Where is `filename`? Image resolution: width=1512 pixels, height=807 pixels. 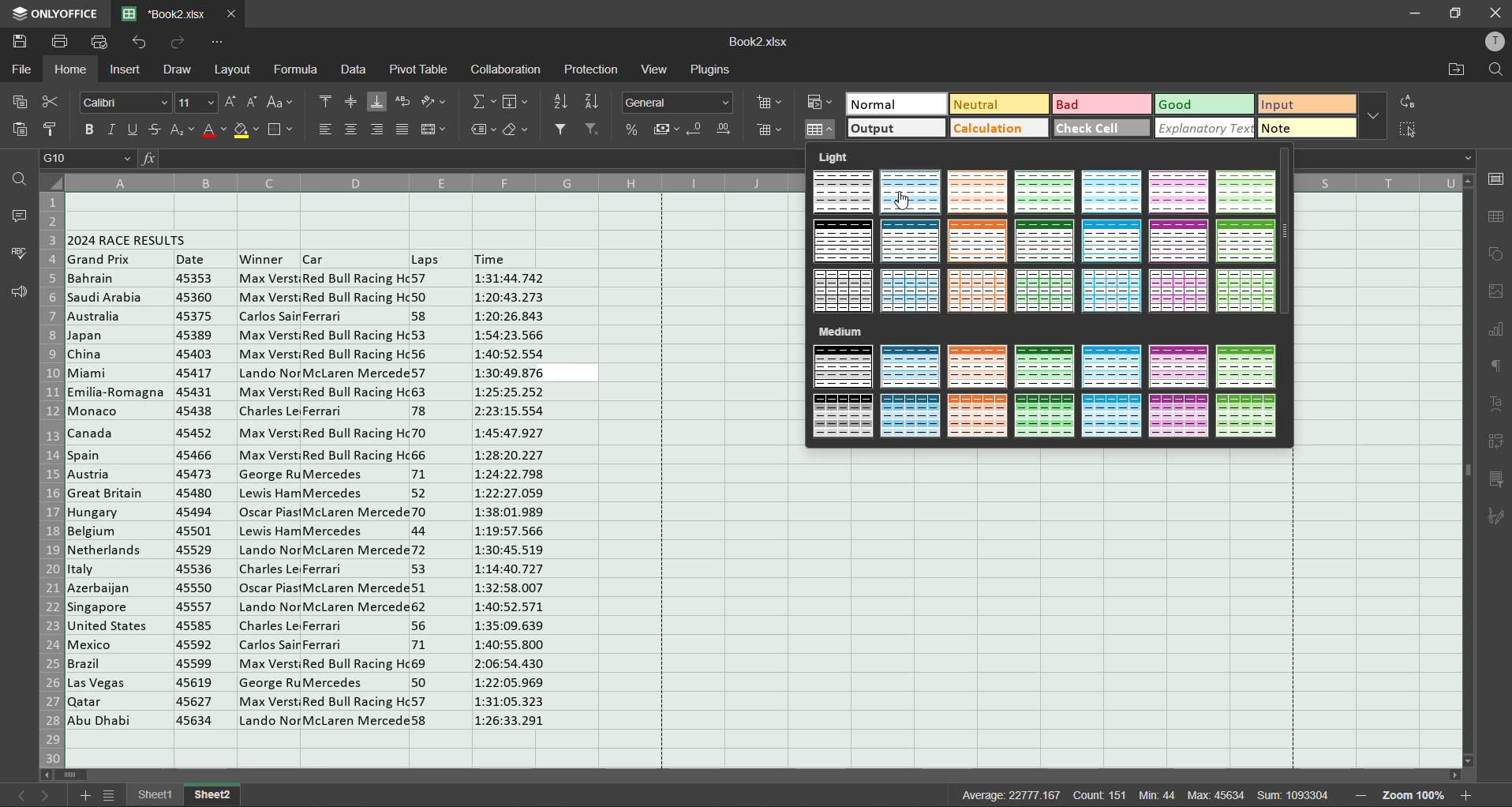 filename is located at coordinates (755, 42).